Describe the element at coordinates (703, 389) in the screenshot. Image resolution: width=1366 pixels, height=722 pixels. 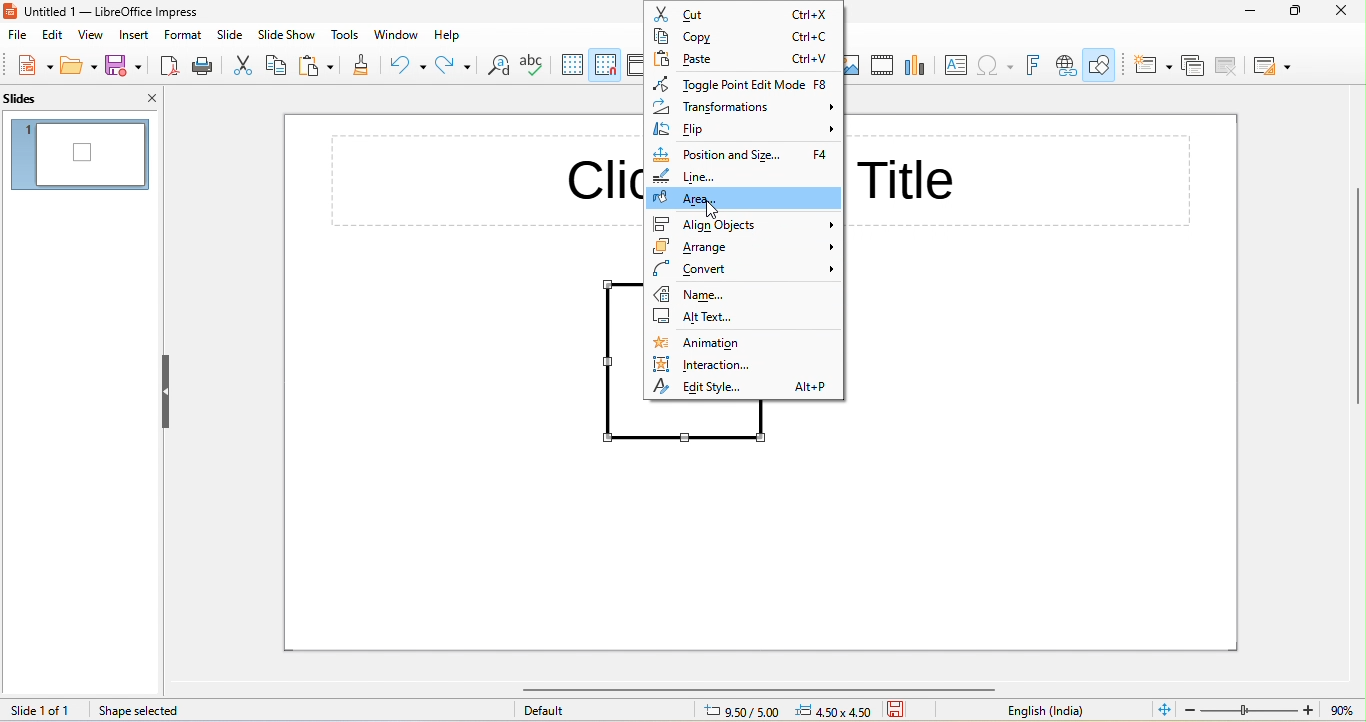
I see `edit style` at that location.